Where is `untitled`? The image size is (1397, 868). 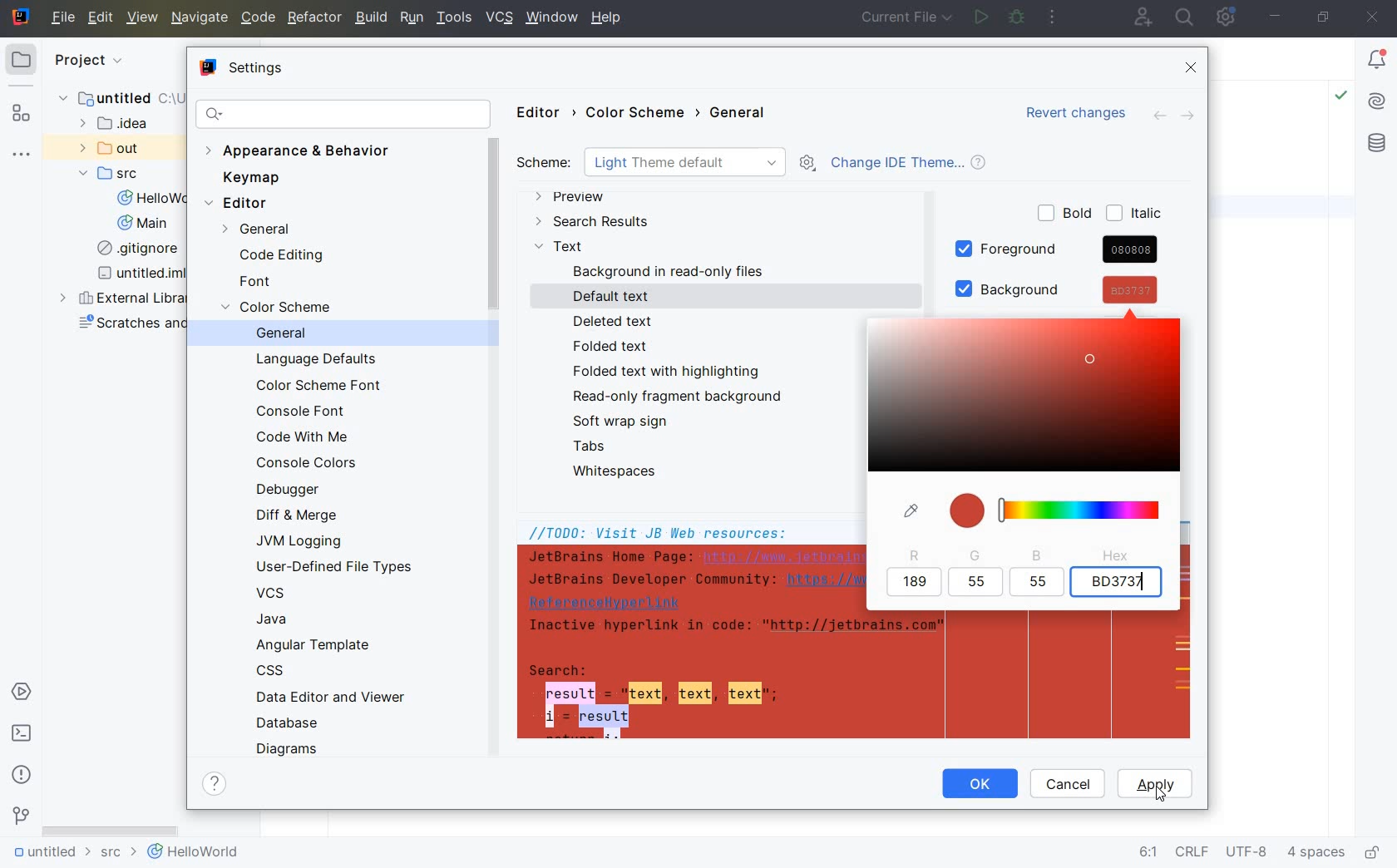
untitled is located at coordinates (116, 101).